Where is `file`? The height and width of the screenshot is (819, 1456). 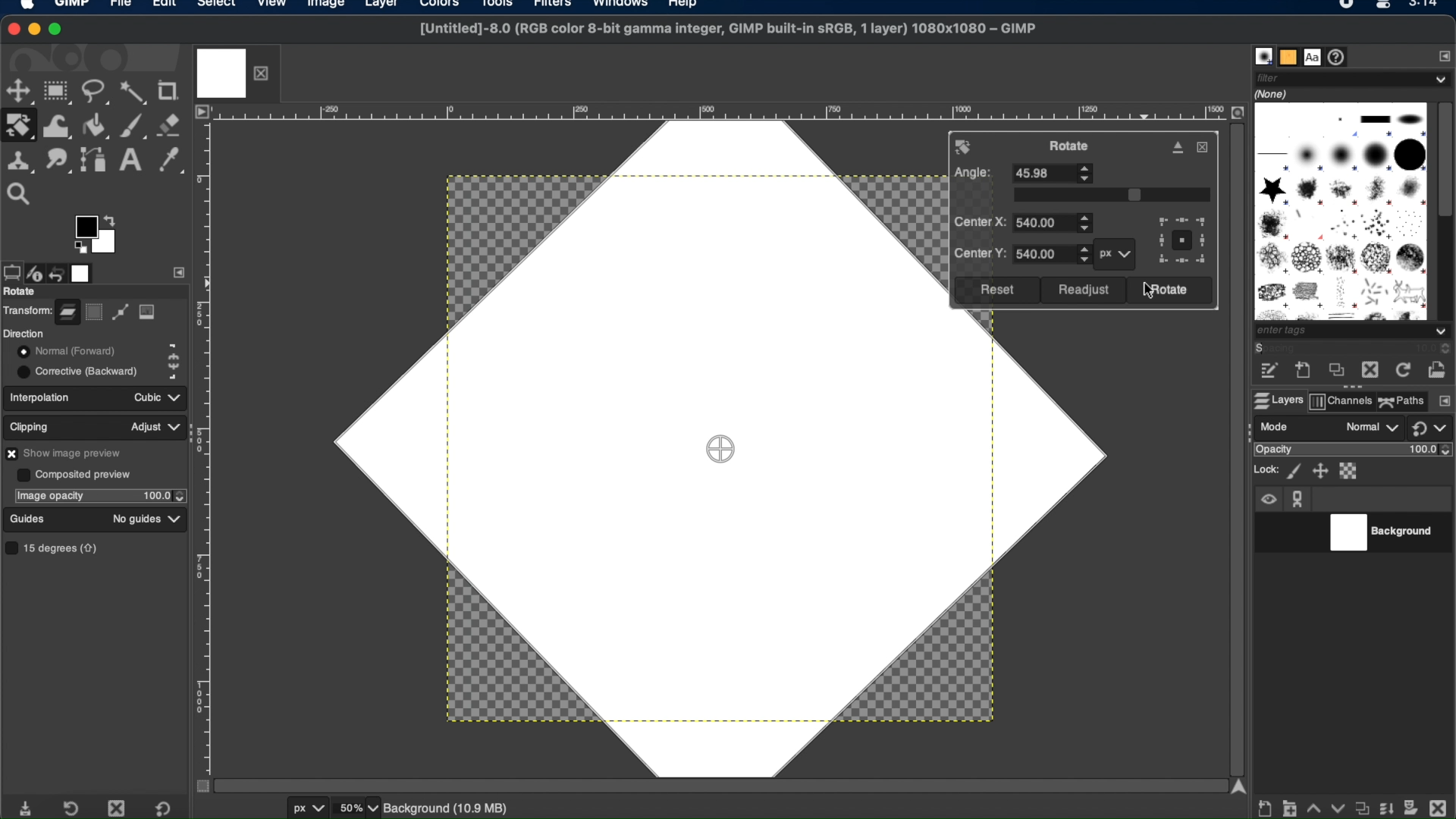 file is located at coordinates (121, 6).